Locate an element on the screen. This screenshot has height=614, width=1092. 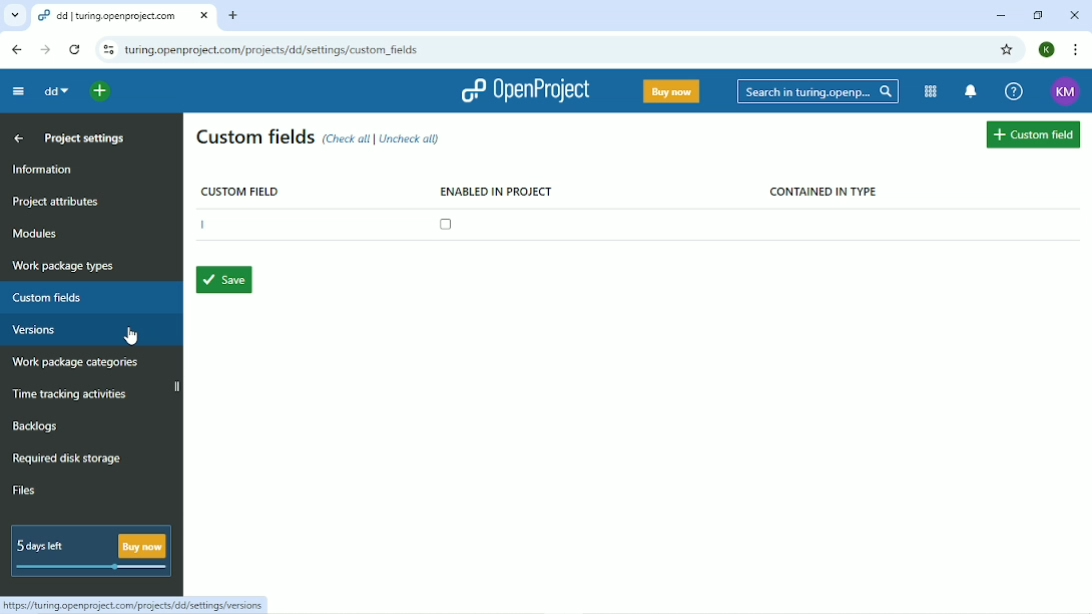
Minimize is located at coordinates (1001, 16).